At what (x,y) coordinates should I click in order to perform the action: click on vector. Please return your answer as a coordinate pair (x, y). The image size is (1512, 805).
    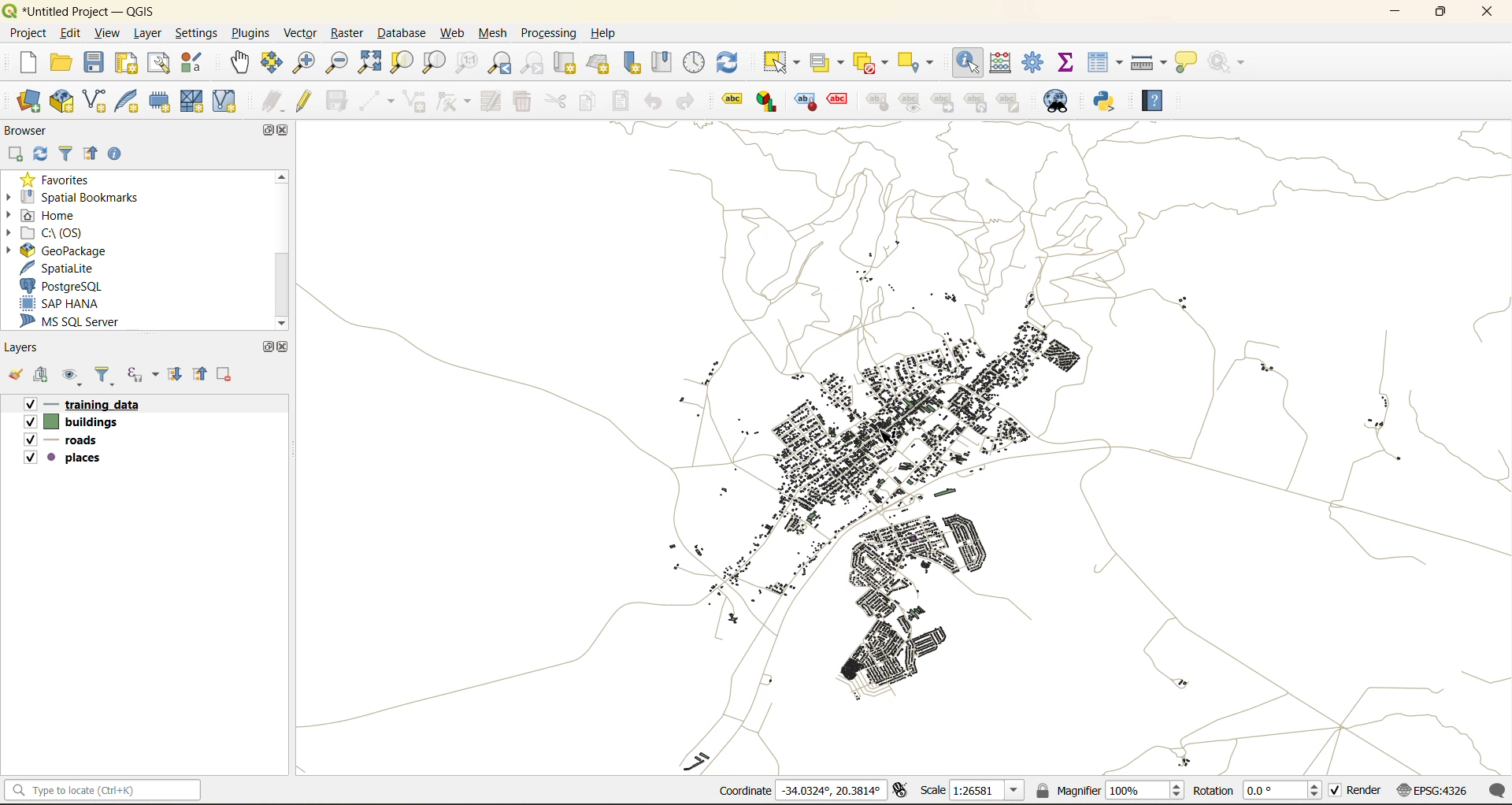
    Looking at the image, I should click on (300, 33).